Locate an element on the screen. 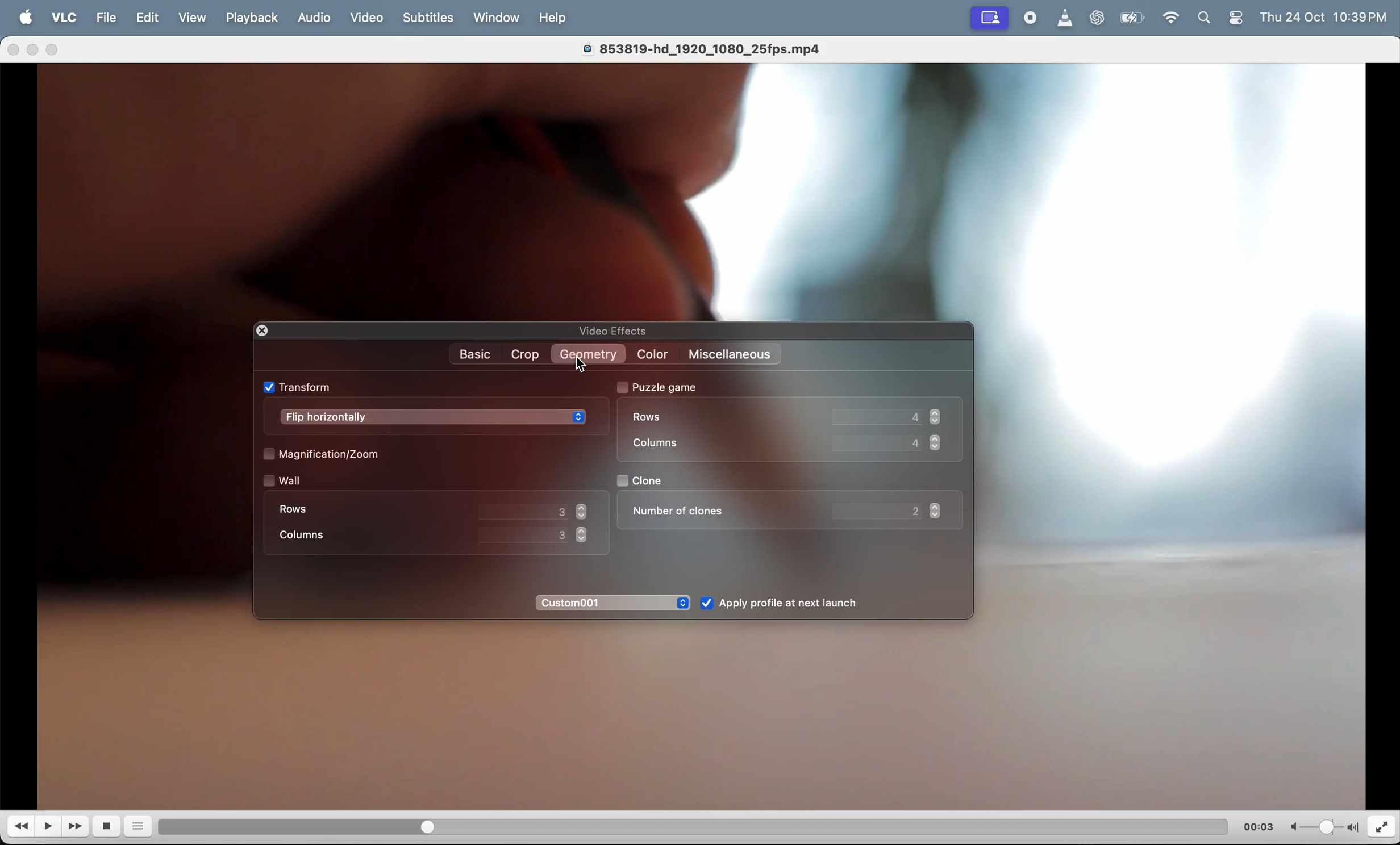  volume  is located at coordinates (1322, 826).